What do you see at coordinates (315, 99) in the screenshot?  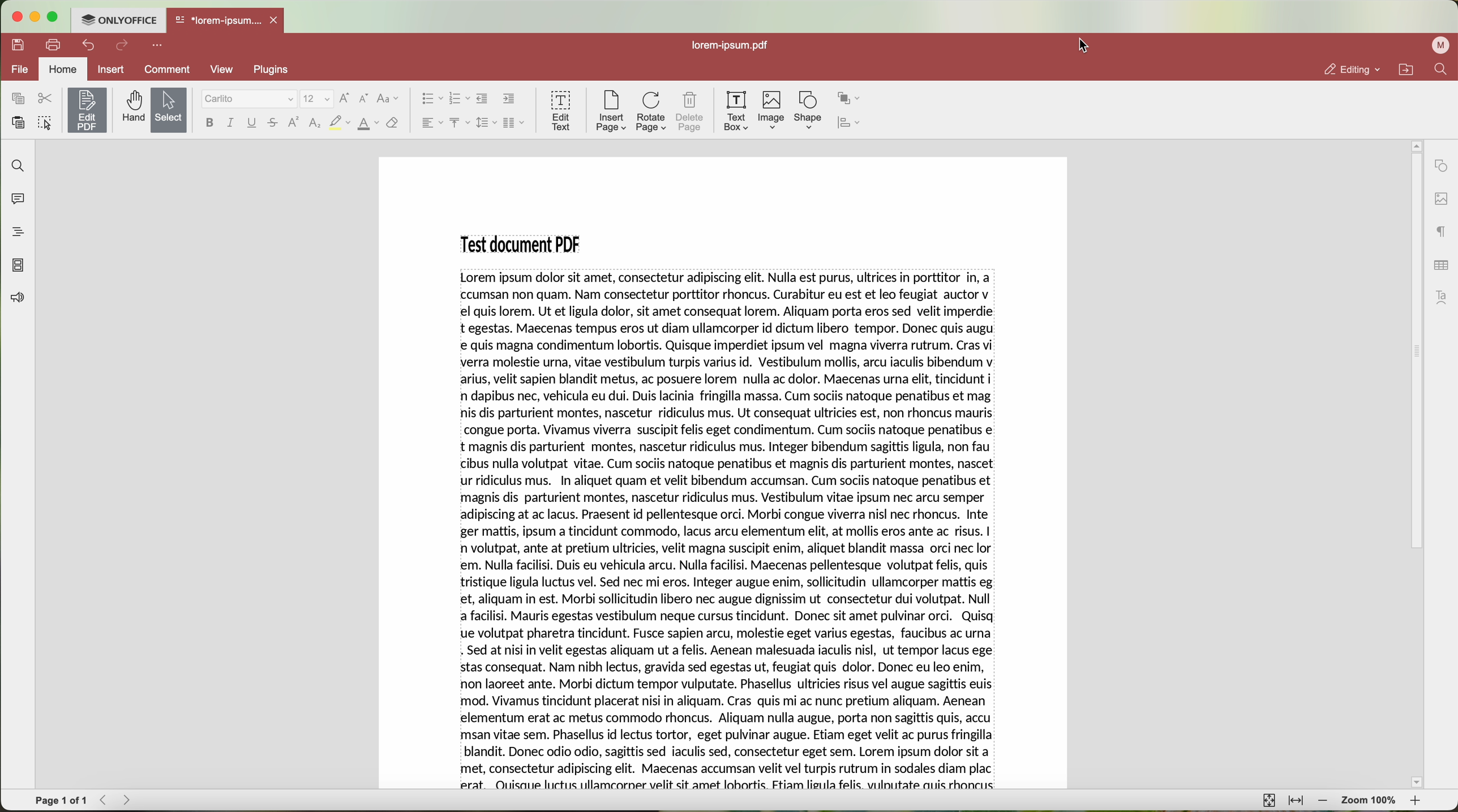 I see `size font` at bounding box center [315, 99].